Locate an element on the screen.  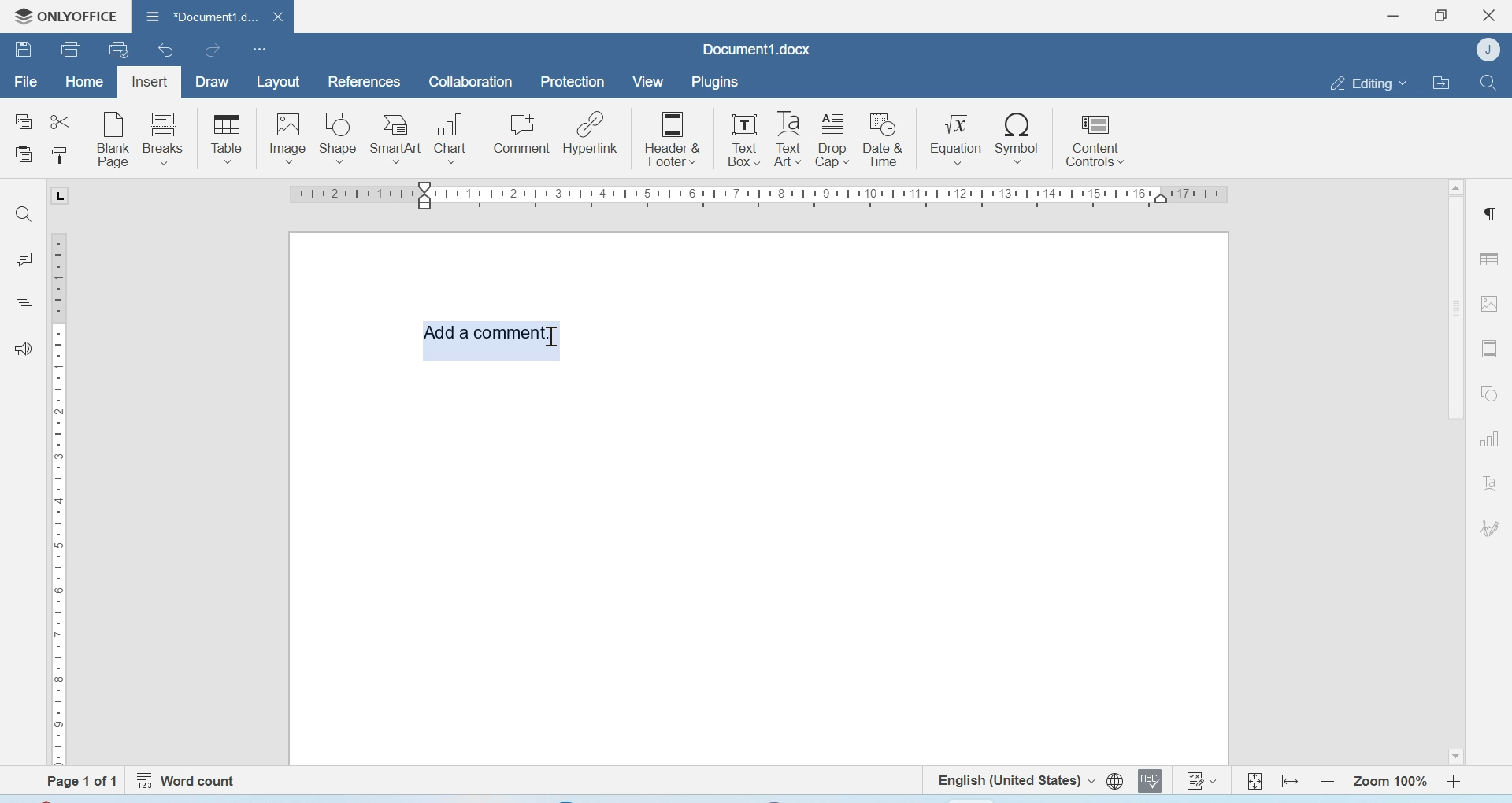
Headings is located at coordinates (23, 306).